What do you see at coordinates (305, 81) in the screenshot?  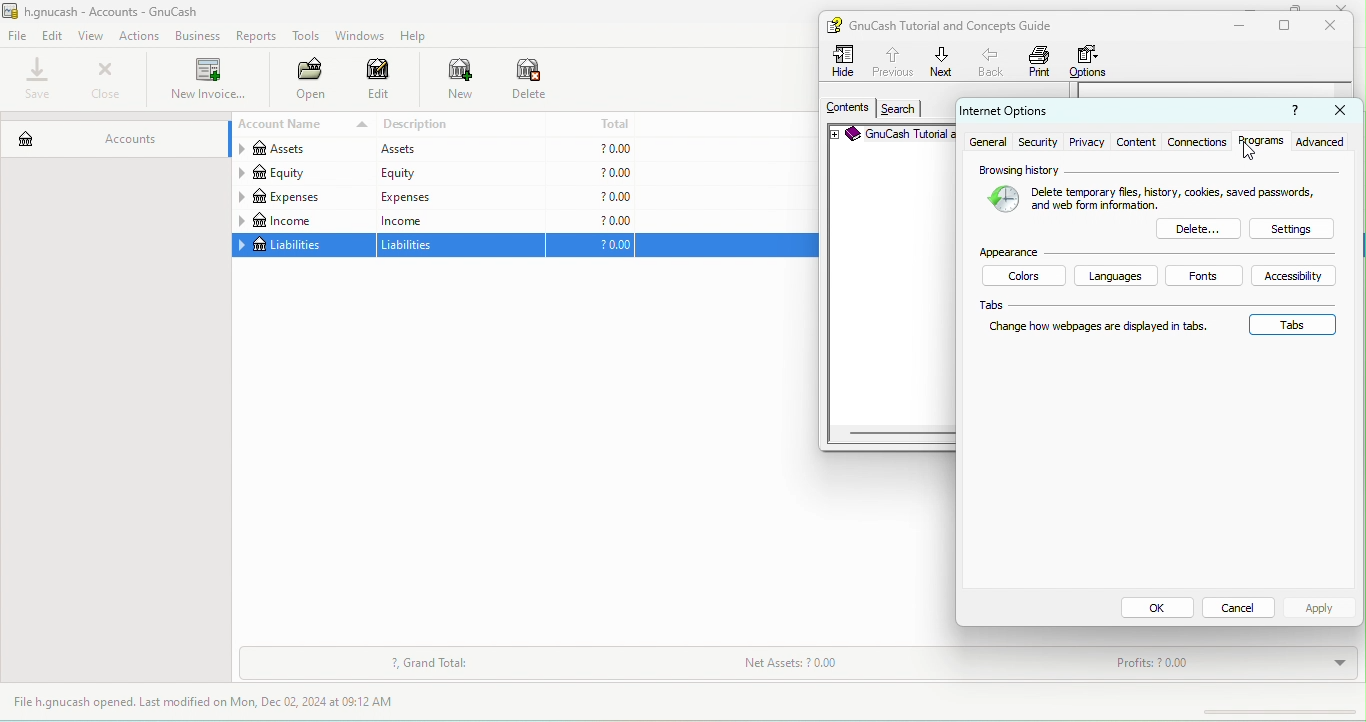 I see `open` at bounding box center [305, 81].